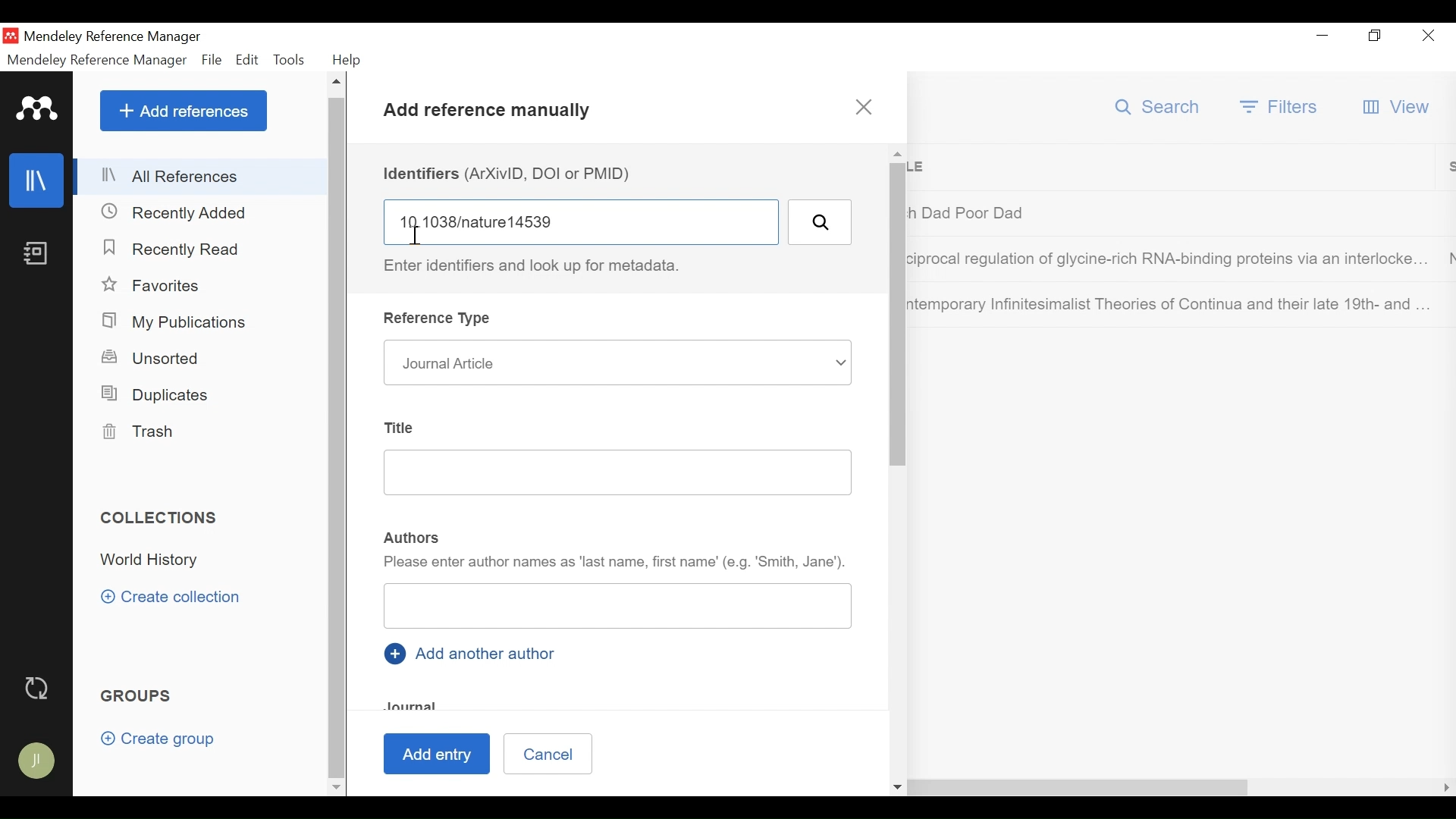 This screenshot has height=819, width=1456. I want to click on Recently Read, so click(180, 249).